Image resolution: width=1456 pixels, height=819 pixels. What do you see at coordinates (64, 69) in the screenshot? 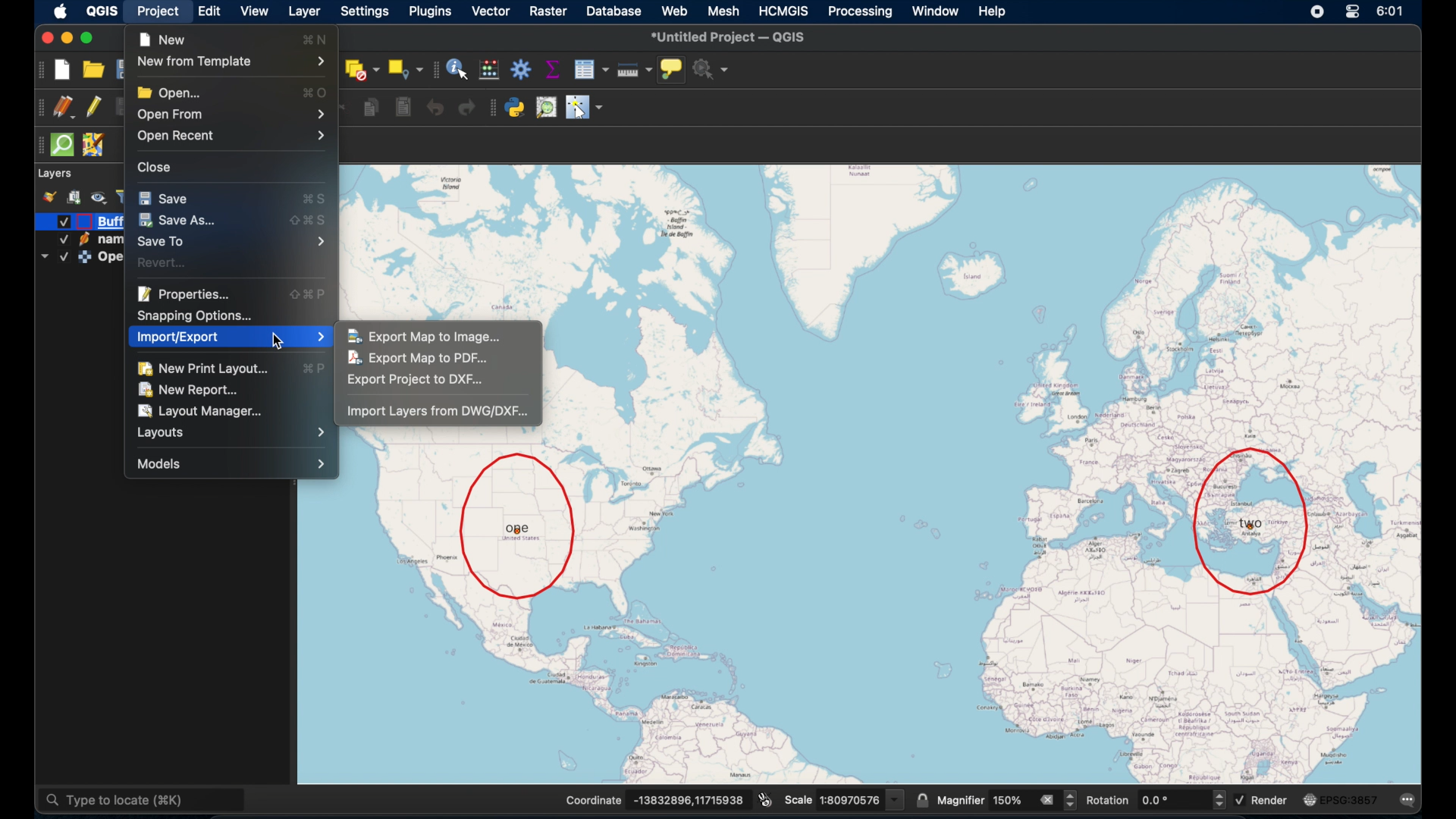
I see `new project` at bounding box center [64, 69].